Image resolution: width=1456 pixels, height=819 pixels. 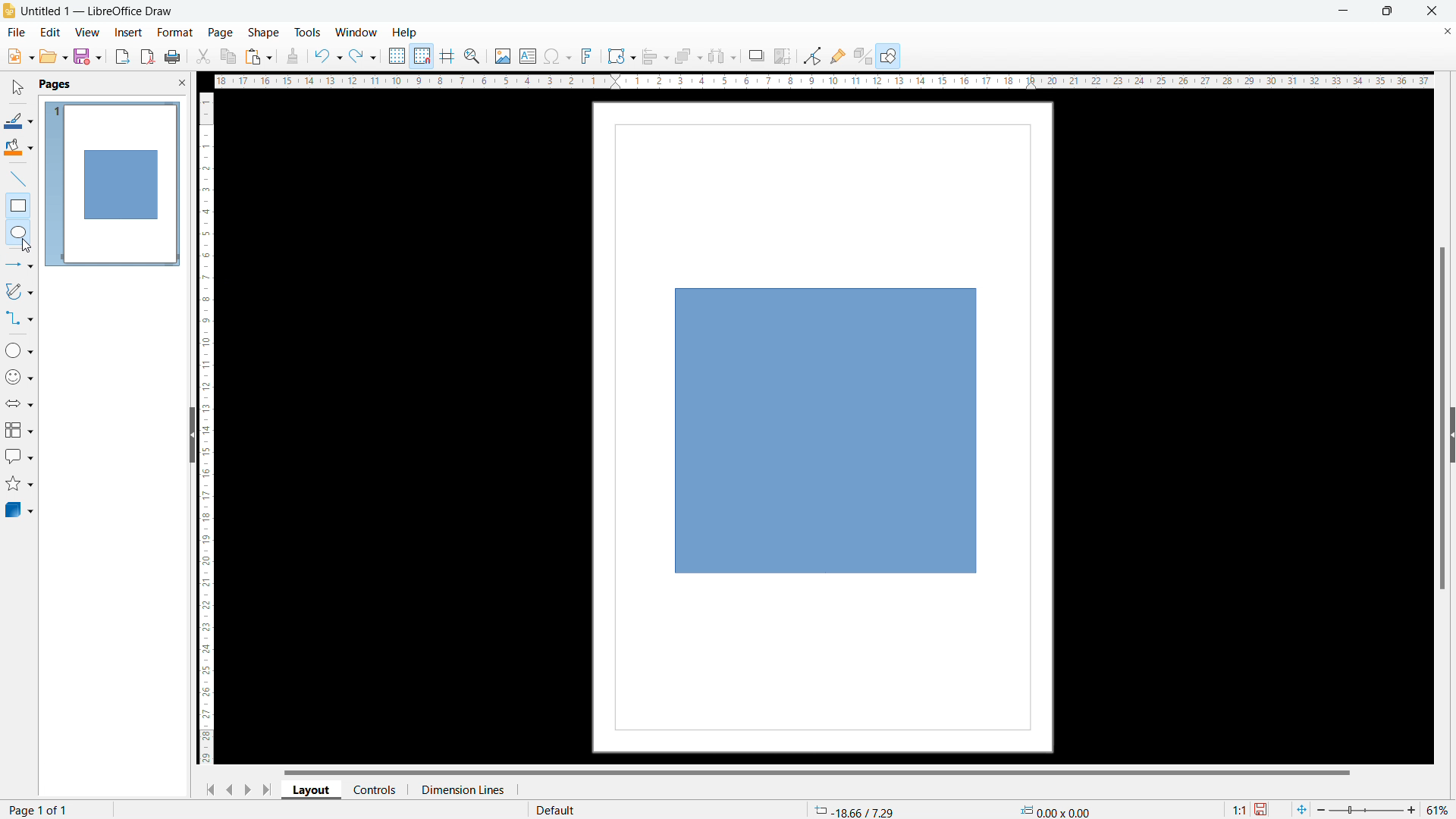 What do you see at coordinates (1301, 809) in the screenshot?
I see `fit to current page` at bounding box center [1301, 809].